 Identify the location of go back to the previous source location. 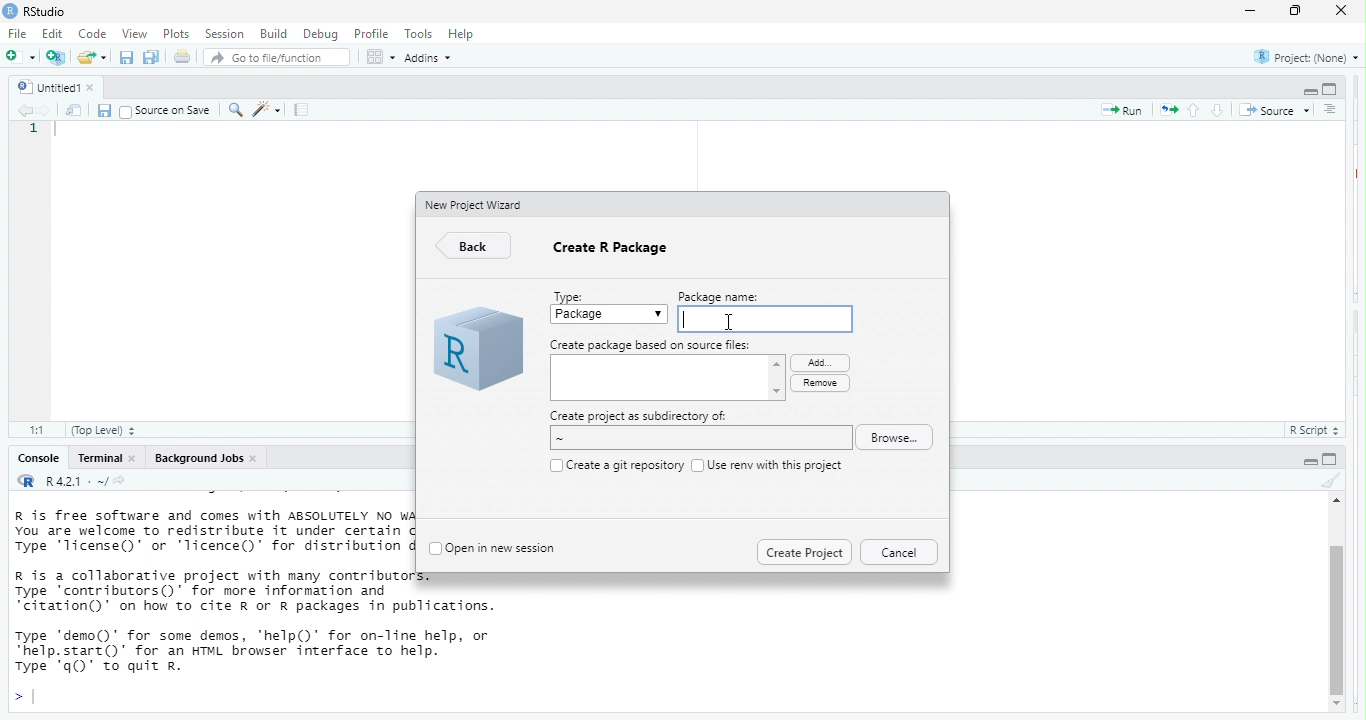
(26, 111).